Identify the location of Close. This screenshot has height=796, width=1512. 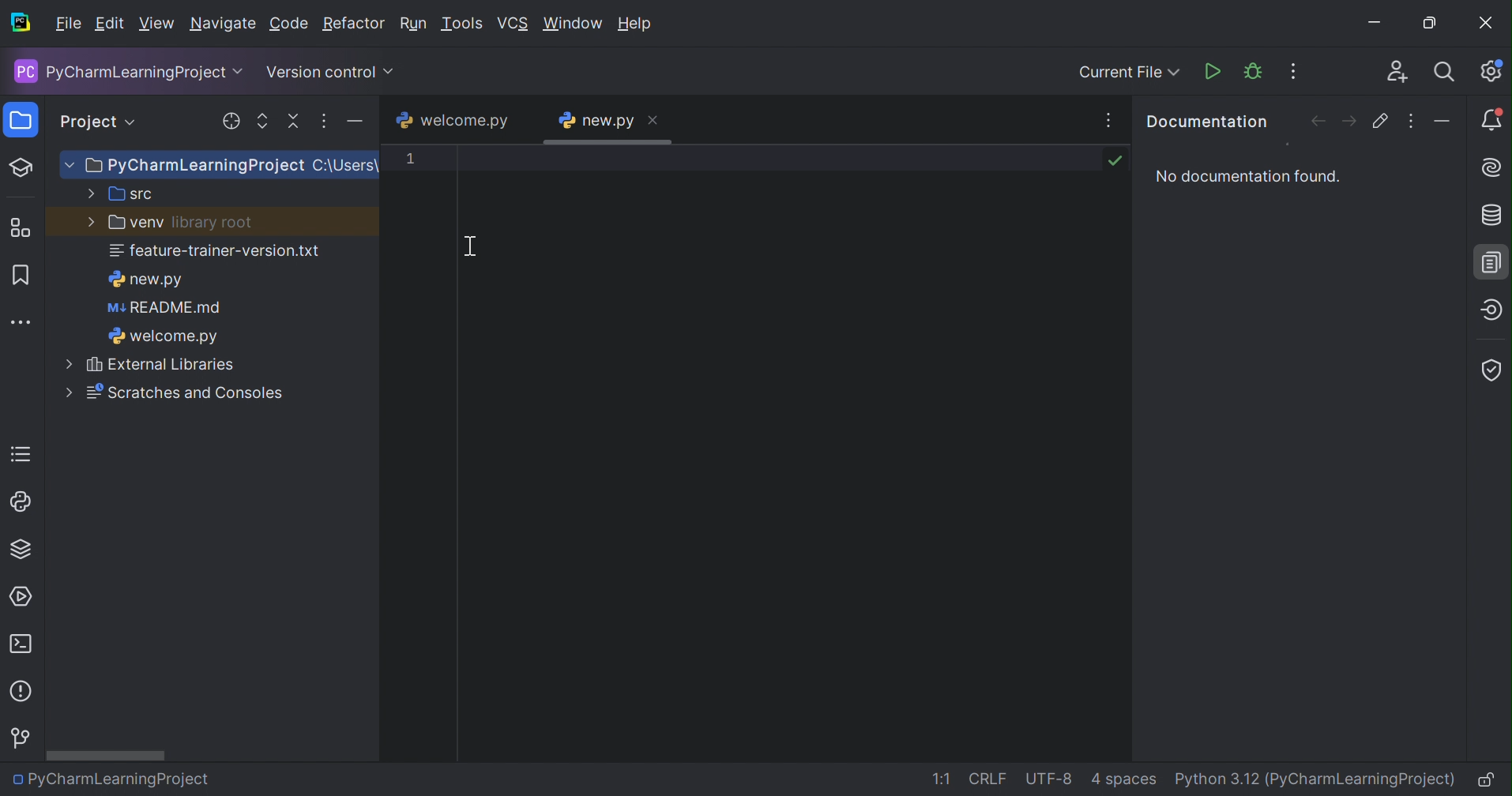
(655, 118).